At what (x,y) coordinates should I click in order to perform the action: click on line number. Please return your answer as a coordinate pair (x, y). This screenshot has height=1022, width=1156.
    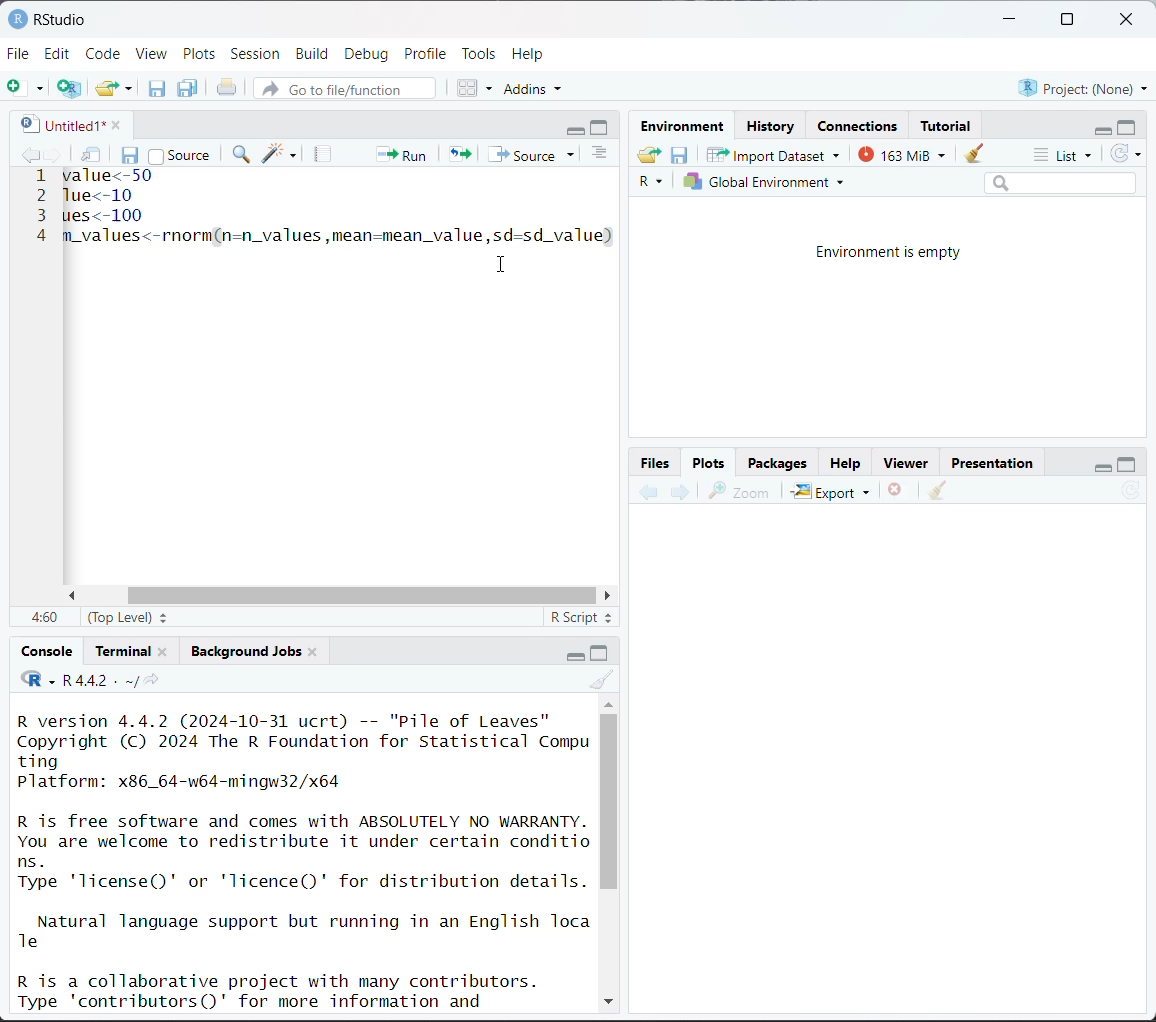
    Looking at the image, I should click on (41, 205).